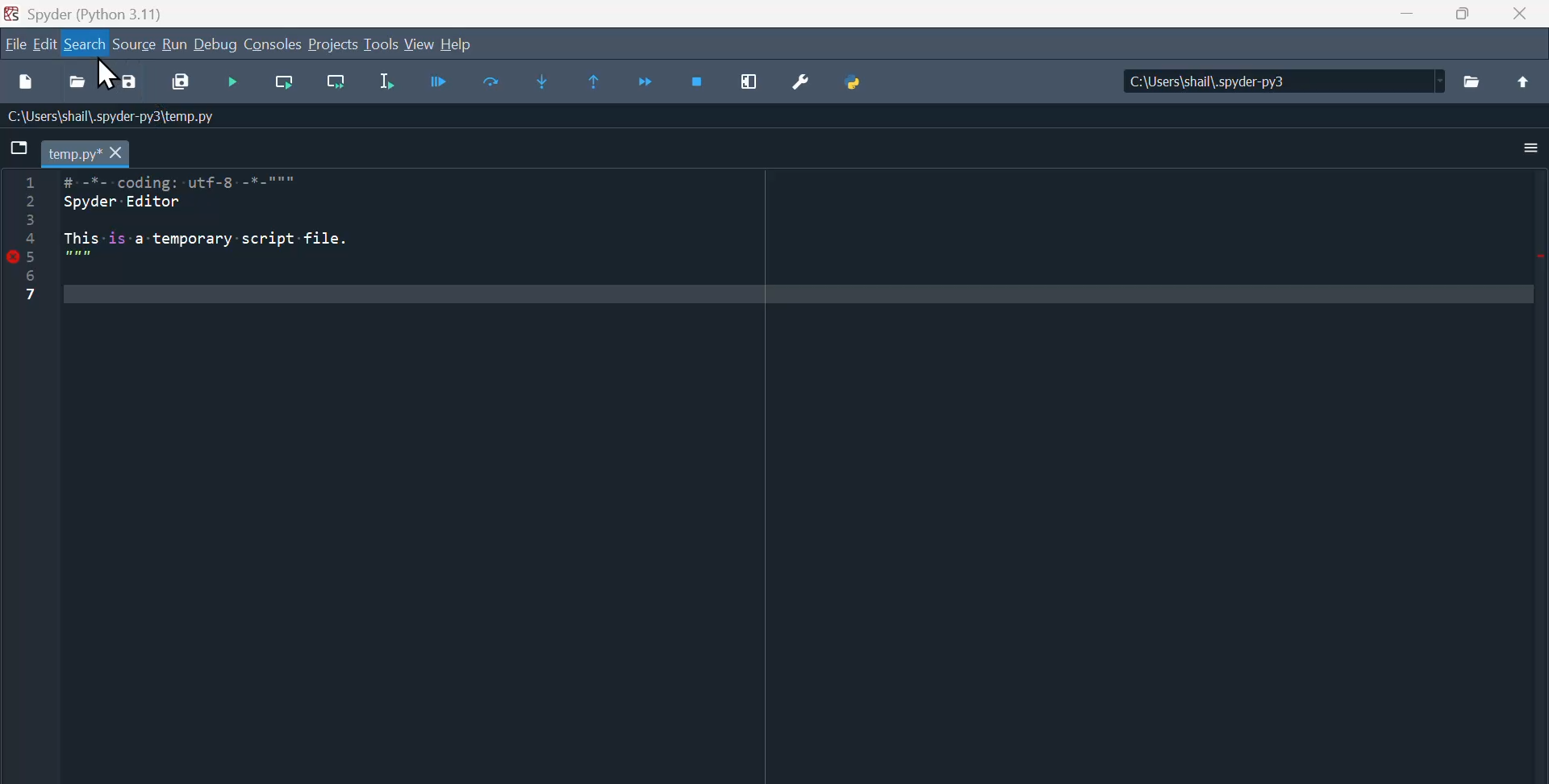  I want to click on Projects, so click(336, 46).